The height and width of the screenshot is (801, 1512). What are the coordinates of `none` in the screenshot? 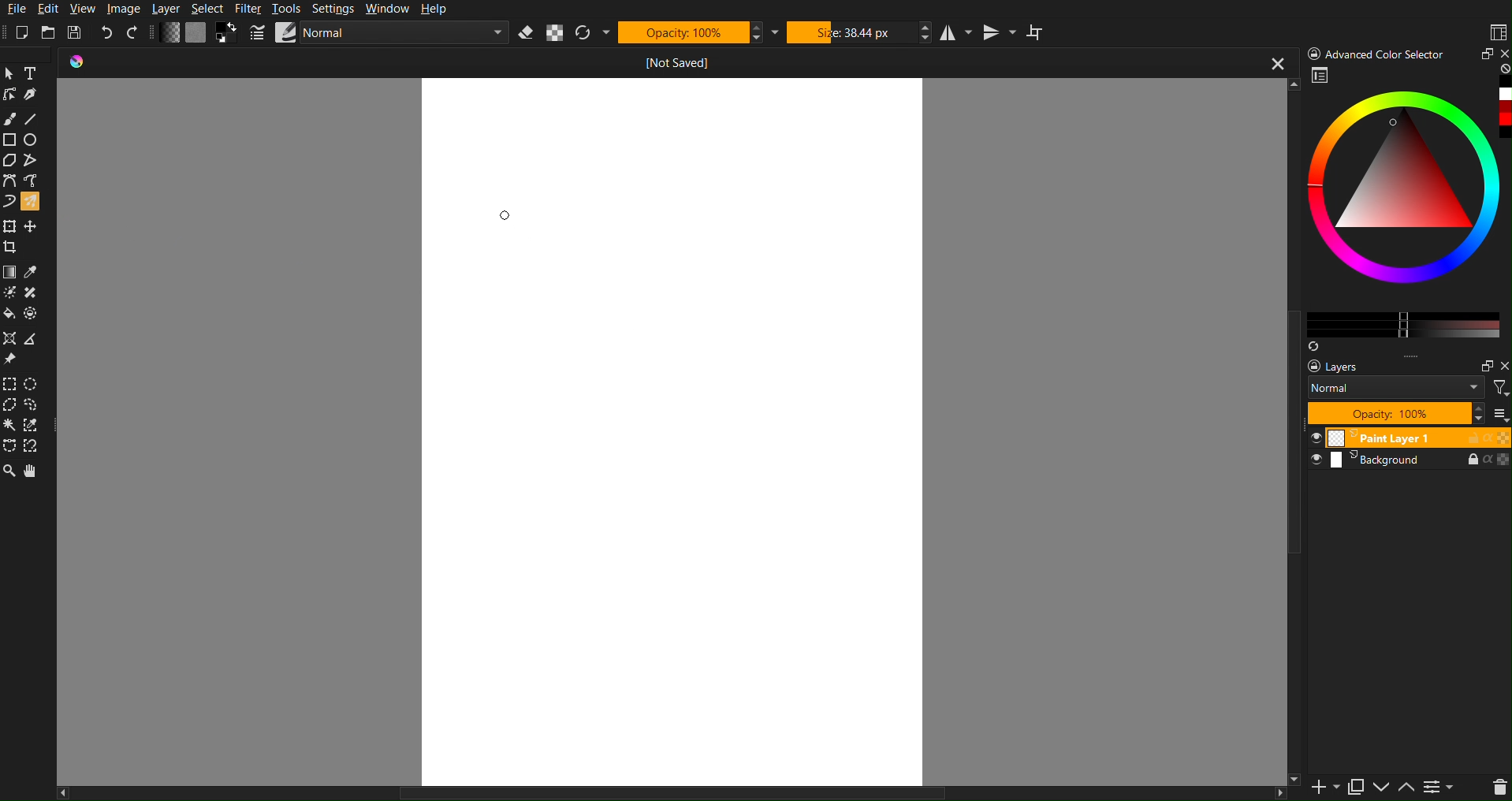 It's located at (1503, 69).